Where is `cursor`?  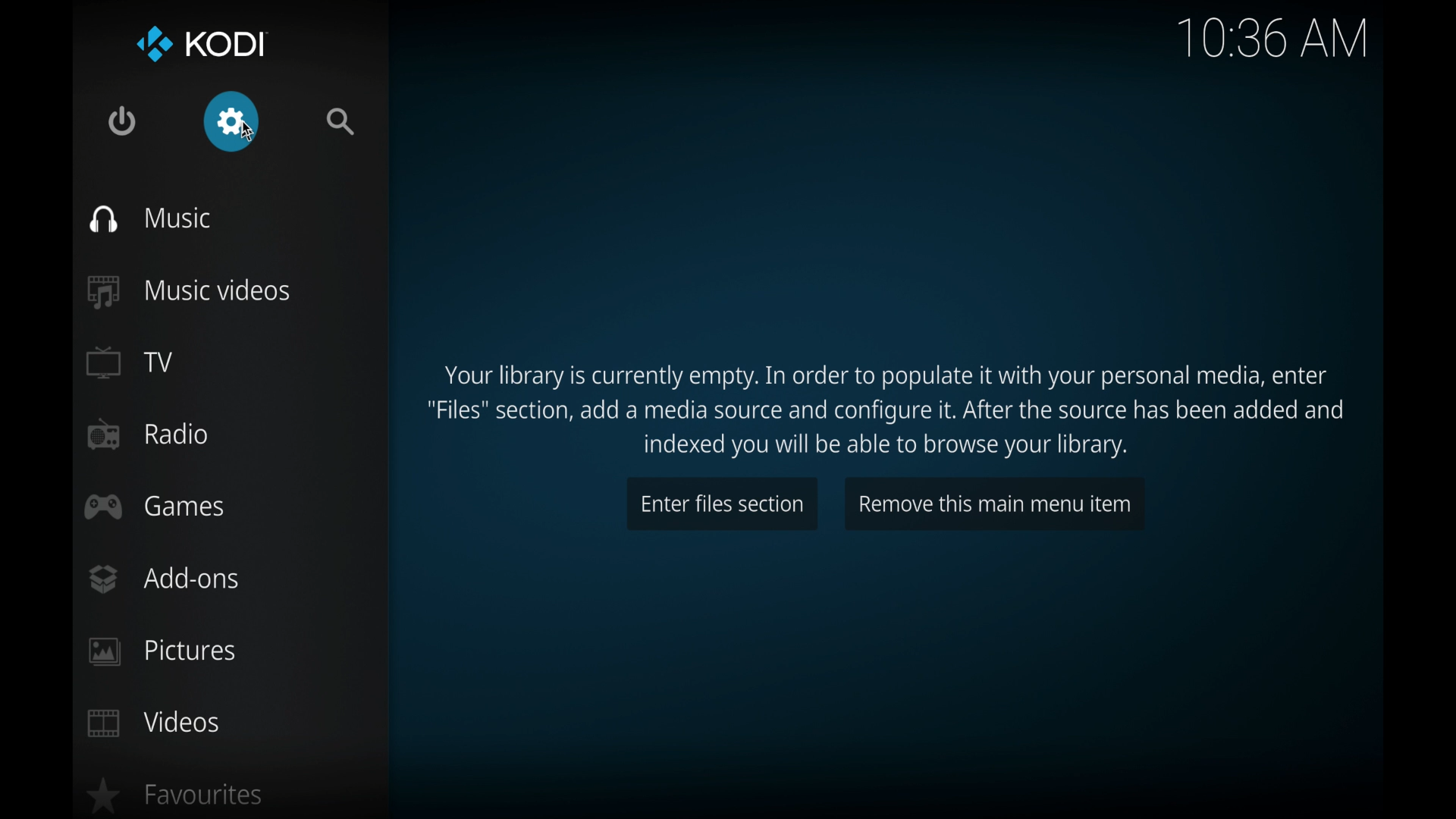 cursor is located at coordinates (250, 133).